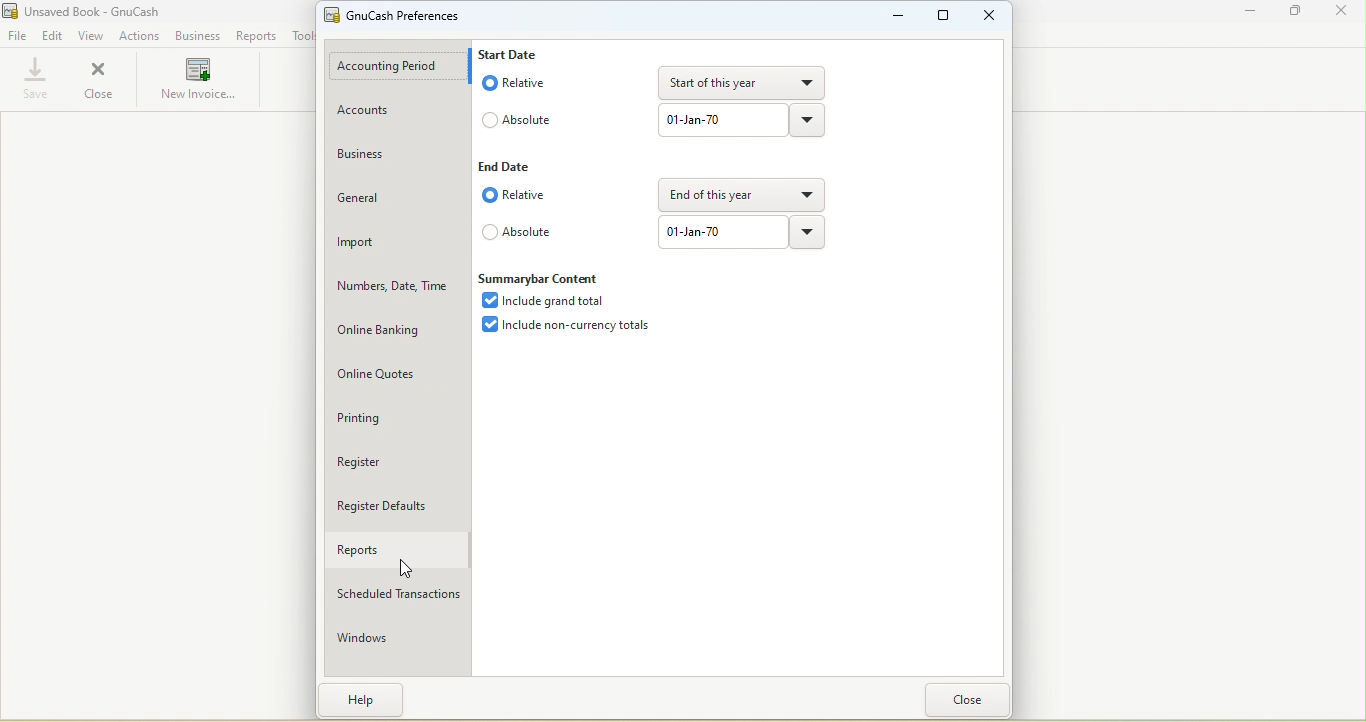  I want to click on Summarybar content, so click(547, 276).